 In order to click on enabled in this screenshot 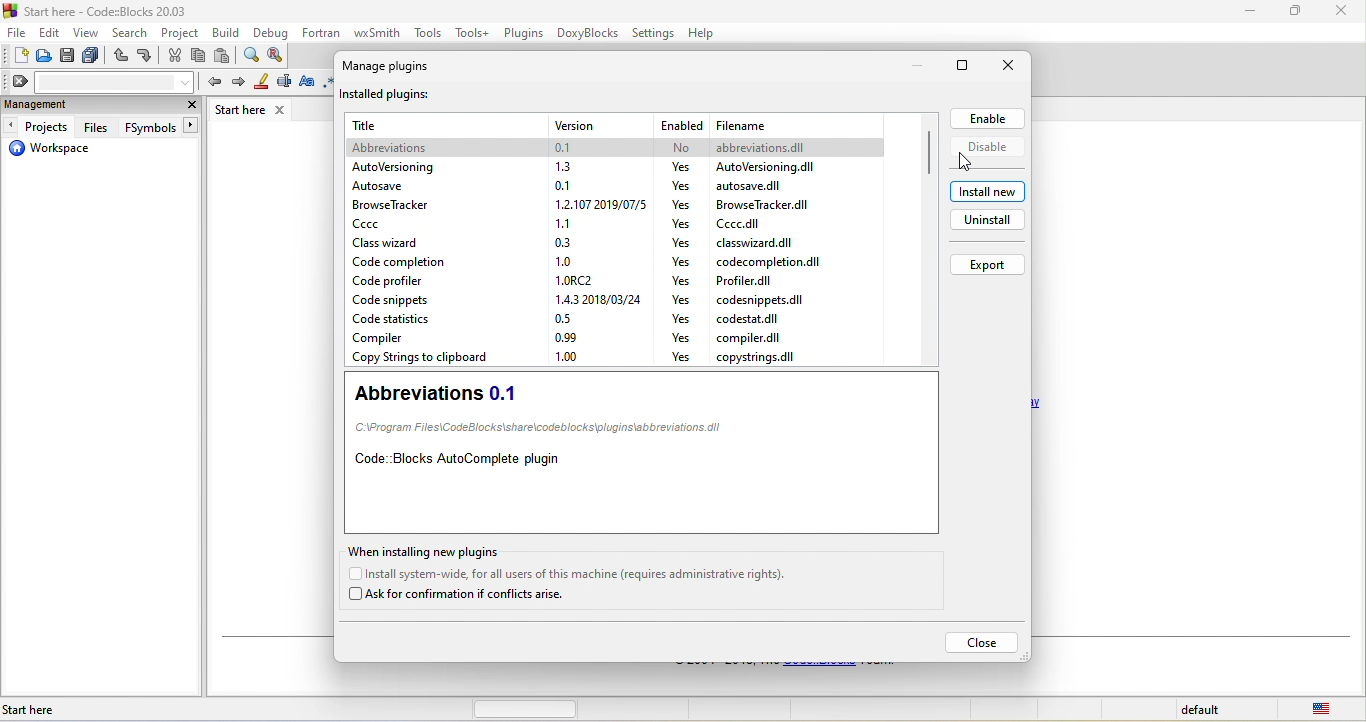, I will do `click(682, 123)`.